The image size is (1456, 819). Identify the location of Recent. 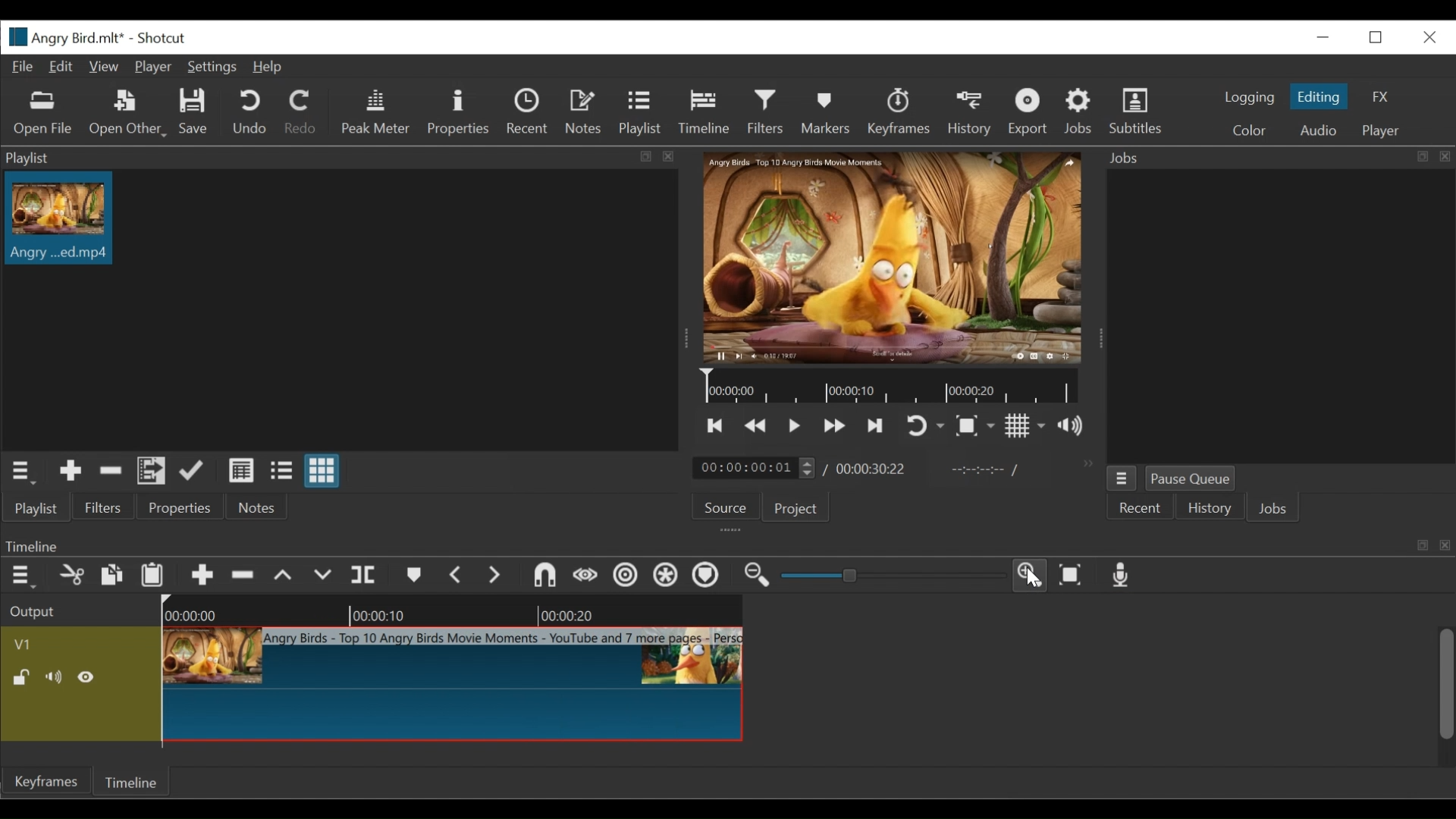
(529, 112).